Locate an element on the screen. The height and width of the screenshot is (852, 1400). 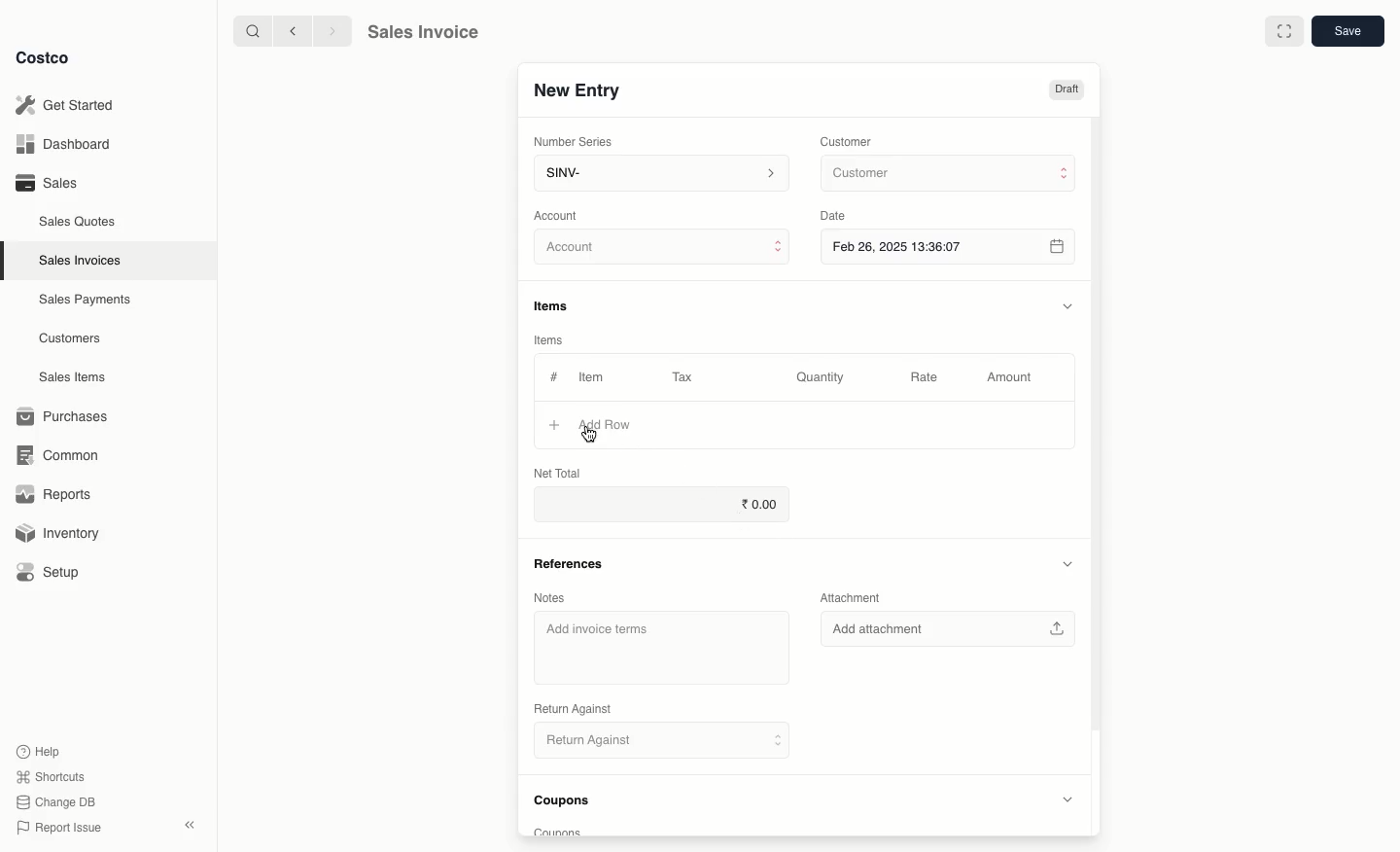
Shortcuts is located at coordinates (50, 777).